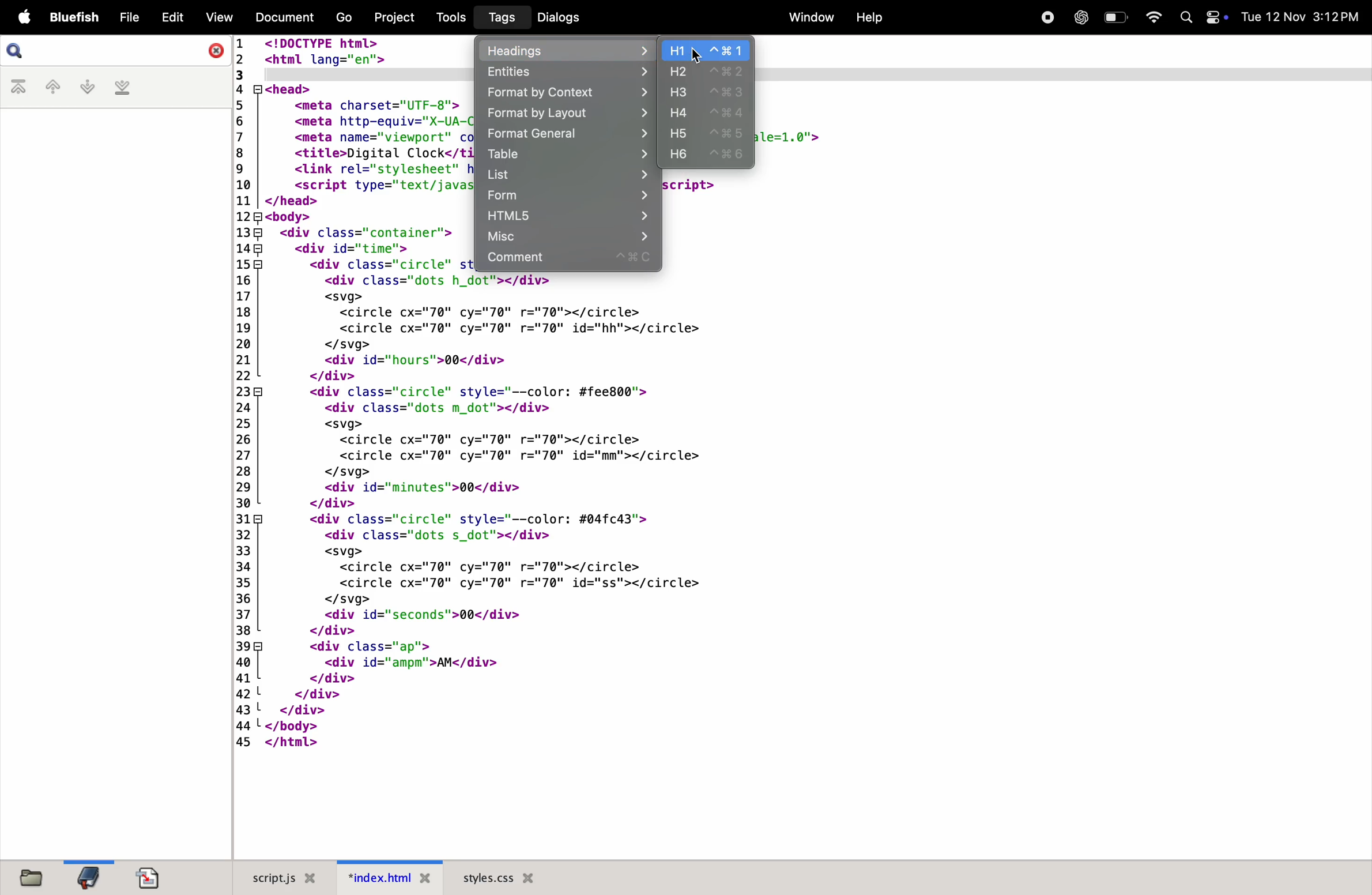  I want to click on wifi, so click(1149, 17).